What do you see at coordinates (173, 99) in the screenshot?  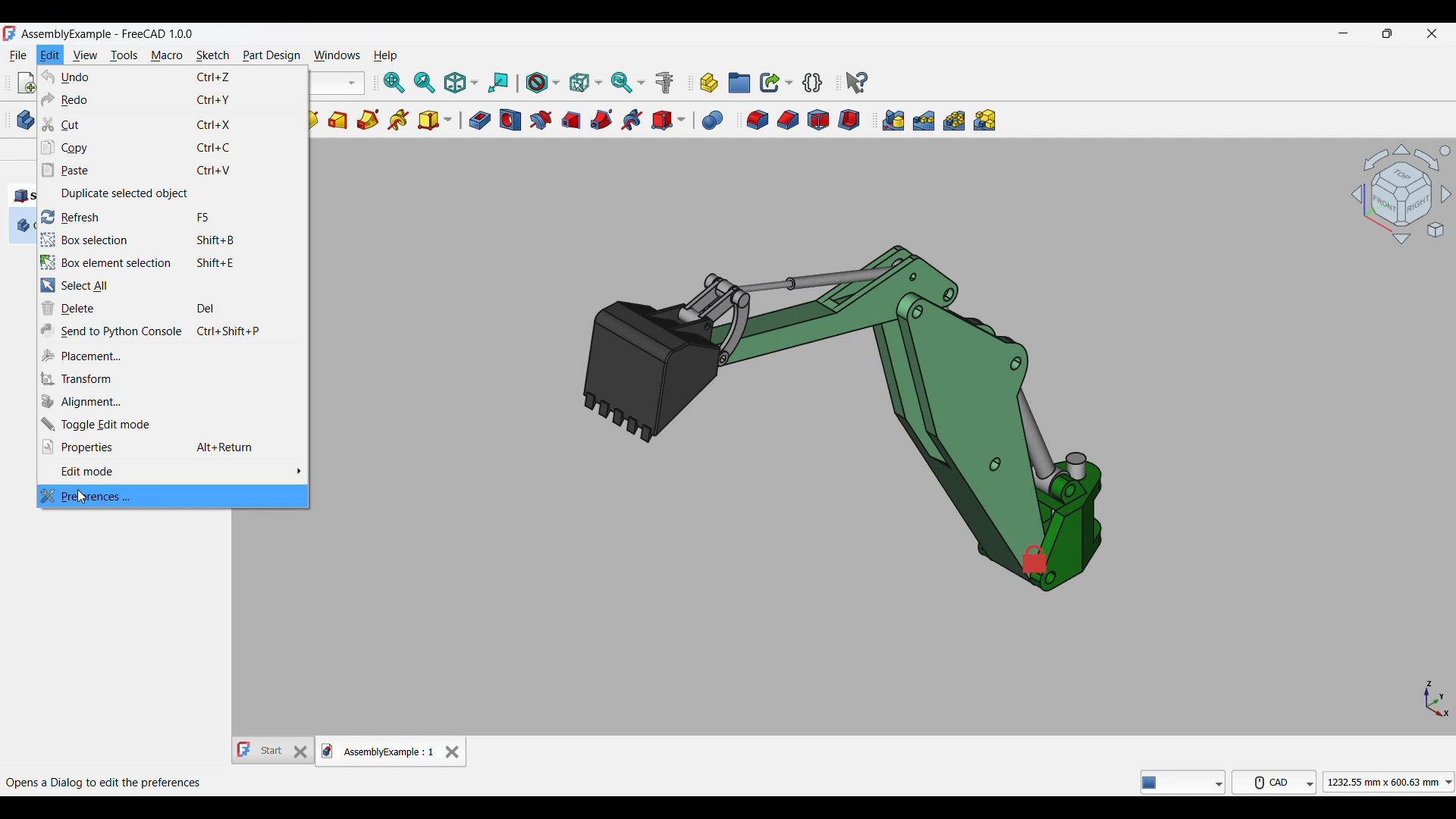 I see `Redo` at bounding box center [173, 99].